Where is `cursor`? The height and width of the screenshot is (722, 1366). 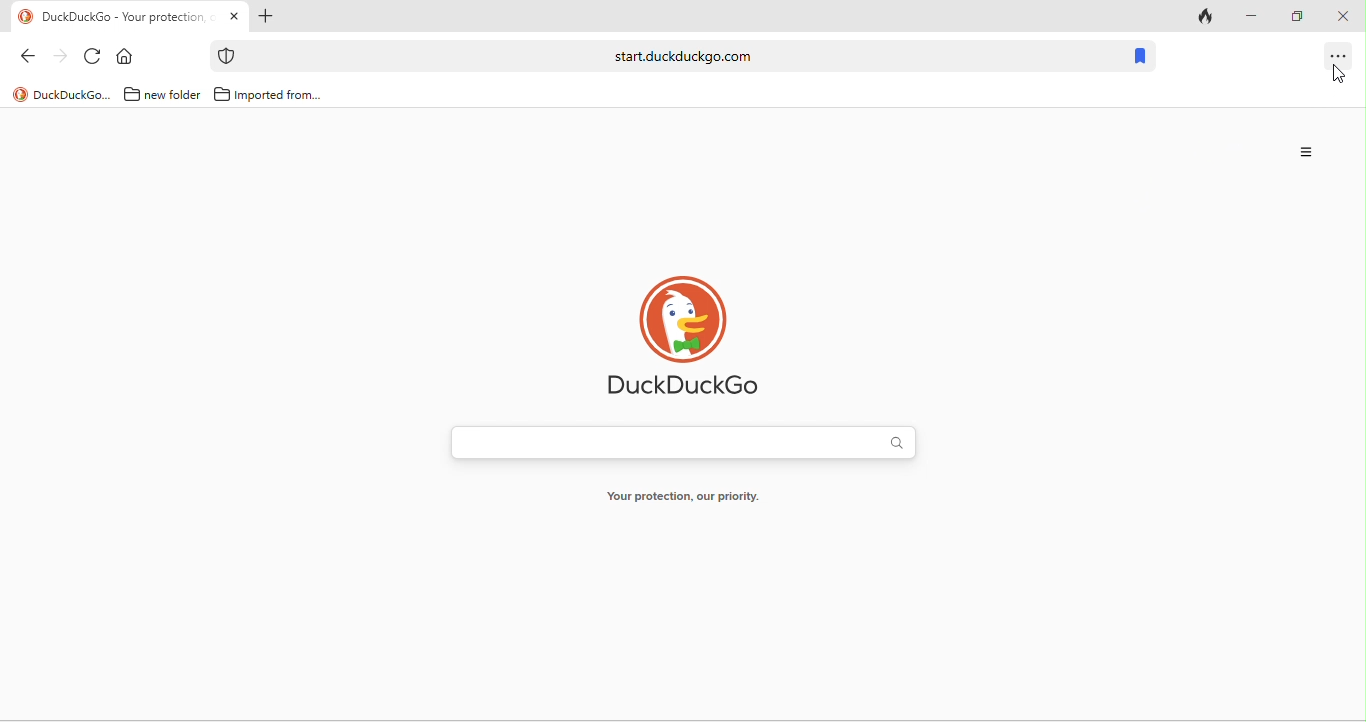 cursor is located at coordinates (1346, 69).